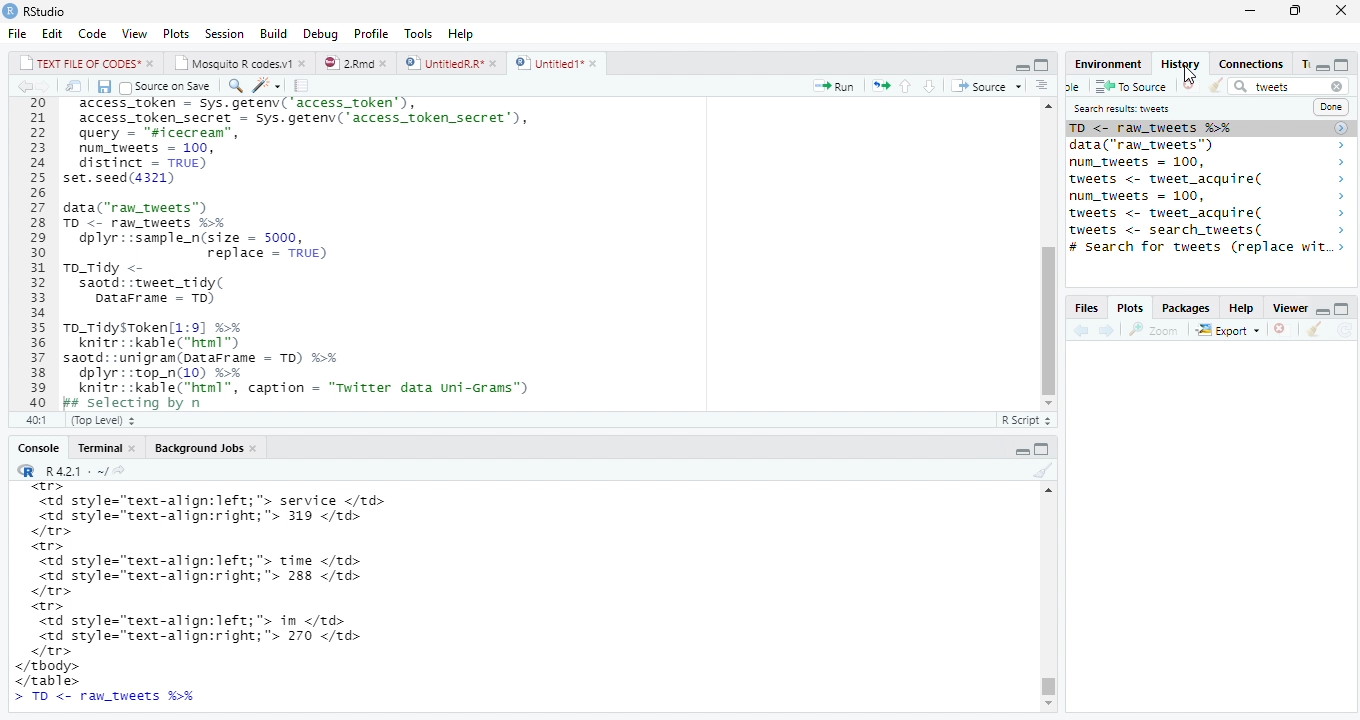 The width and height of the screenshot is (1360, 720). Describe the element at coordinates (242, 595) in the screenshot. I see `<tr>
<td style="text-align:left; "> service </td>
<td style="text-align:right;"> 319 </td>
</tr>
<tr>
<td style="text-align:left; "> time </td>
<td style="text-align:right;"> 288 </td>
</tr>
<tr>
<td style="text-align:left; "> in </td>
<td style="text-align:right;"> 270 </td>
</tr>

</tbody>

</table>

>` at that location.